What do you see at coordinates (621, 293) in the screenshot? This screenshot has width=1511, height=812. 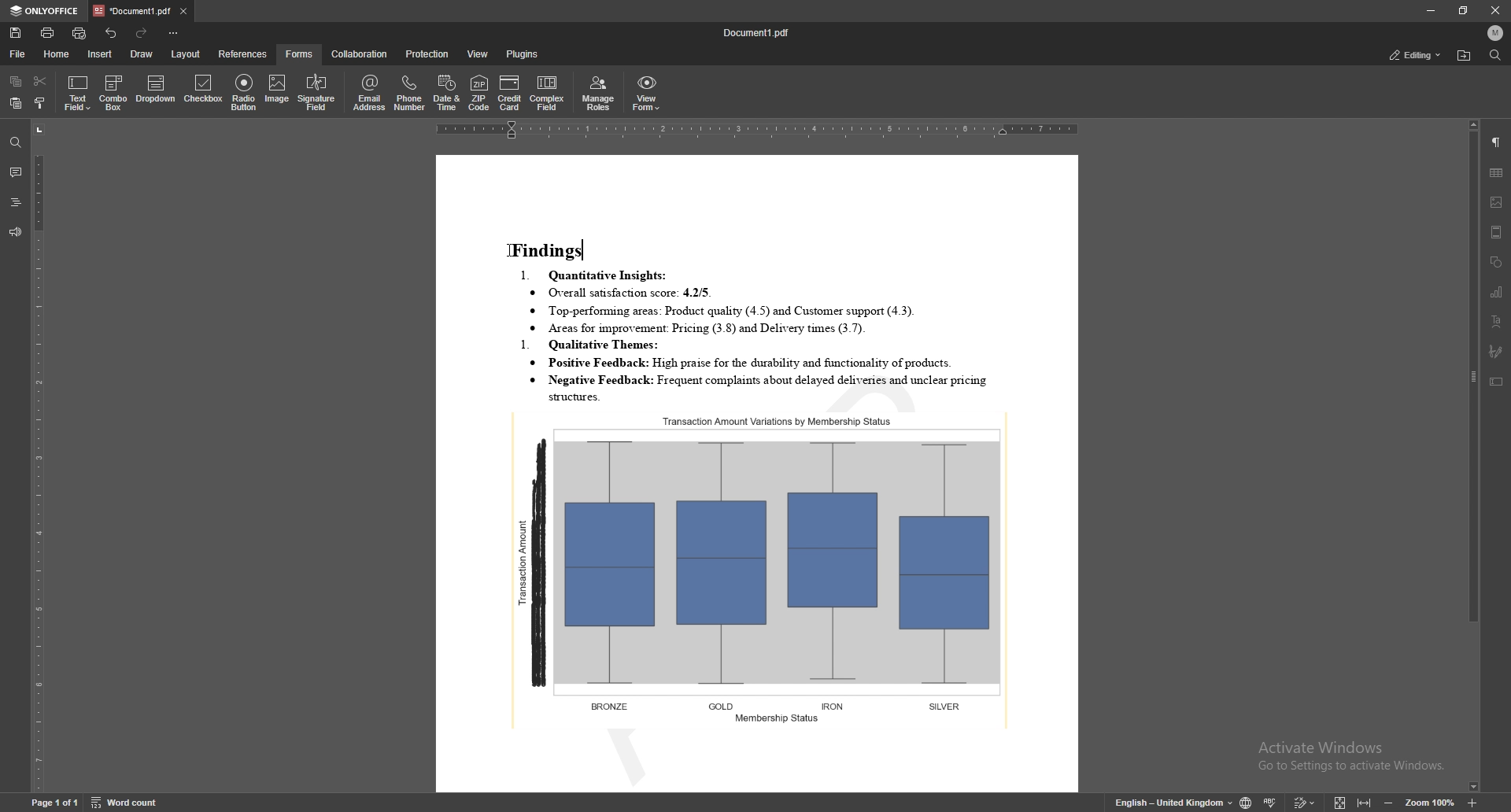 I see `® Overall satisfaction score: 4.2/5.` at bounding box center [621, 293].